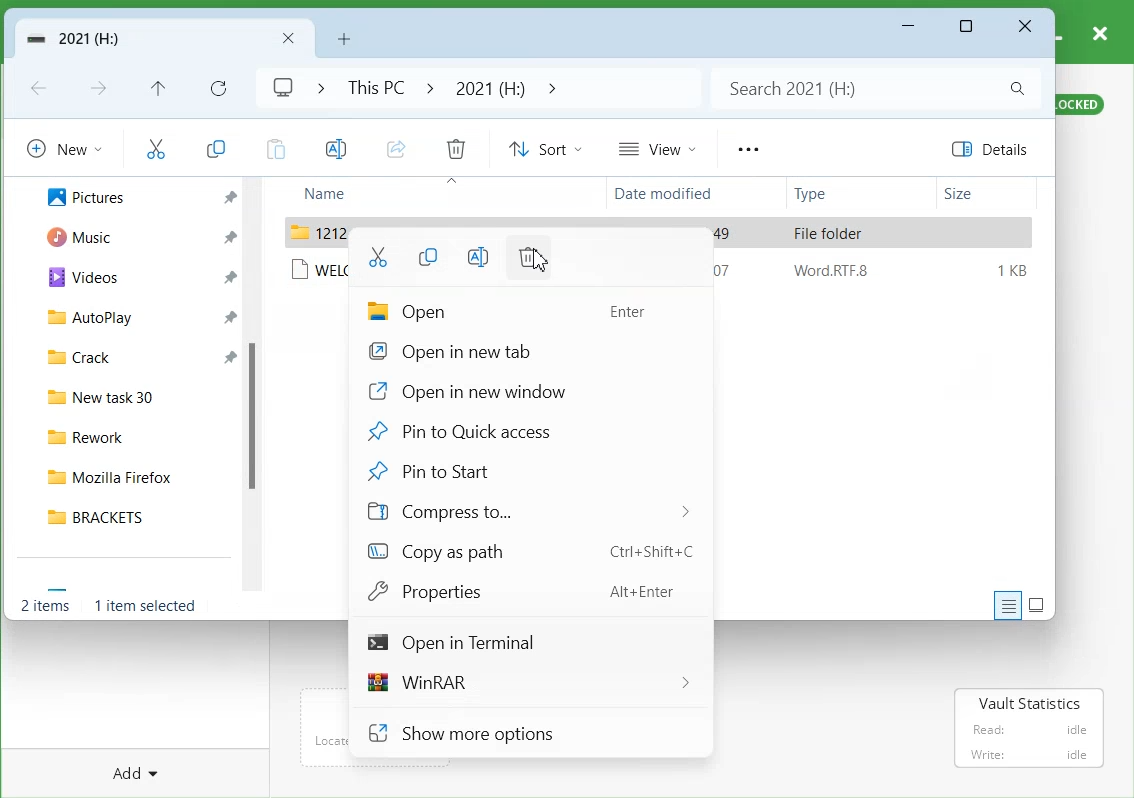 This screenshot has height=798, width=1134. I want to click on Properties, so click(526, 590).